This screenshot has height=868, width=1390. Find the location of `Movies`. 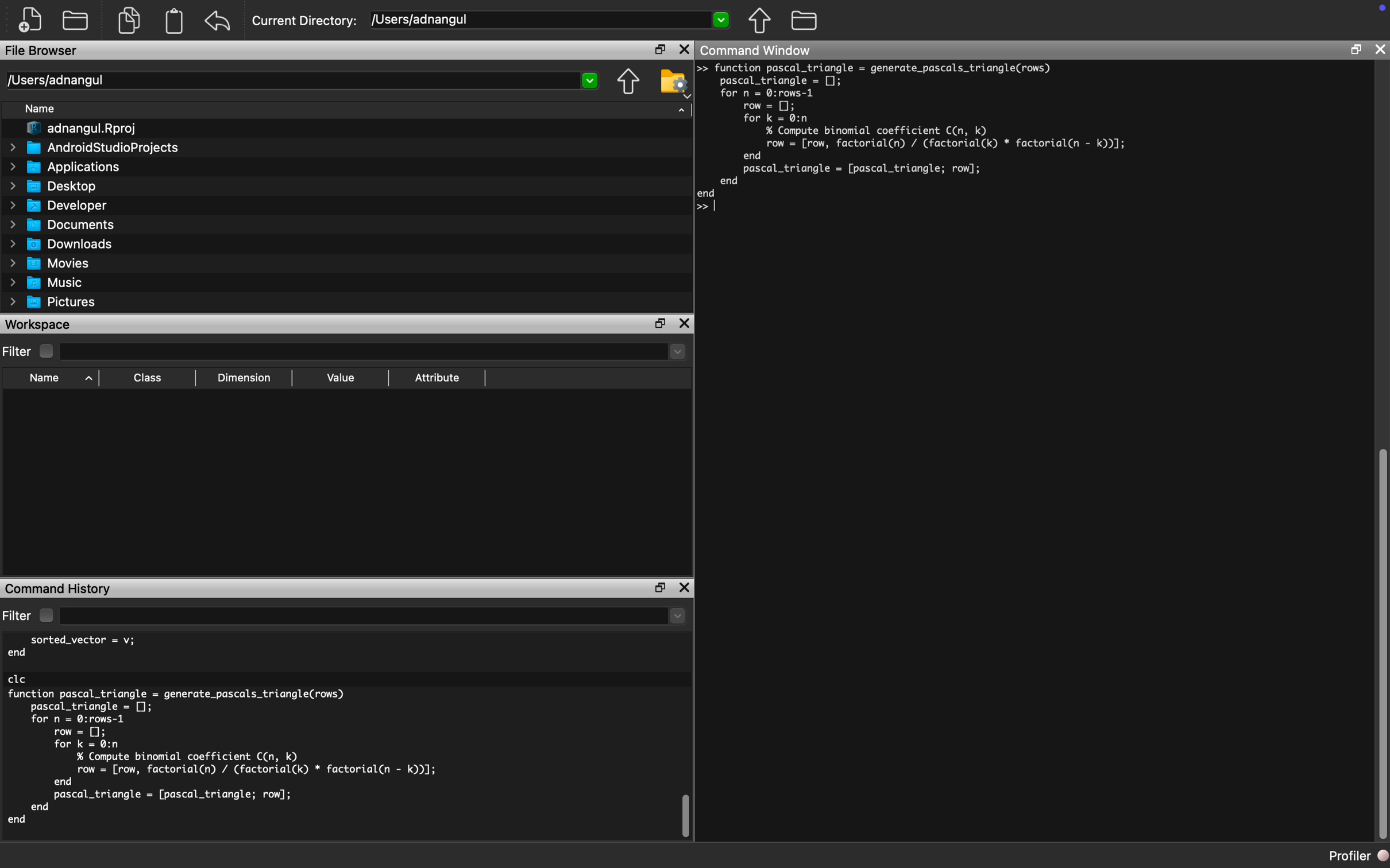

Movies is located at coordinates (50, 264).